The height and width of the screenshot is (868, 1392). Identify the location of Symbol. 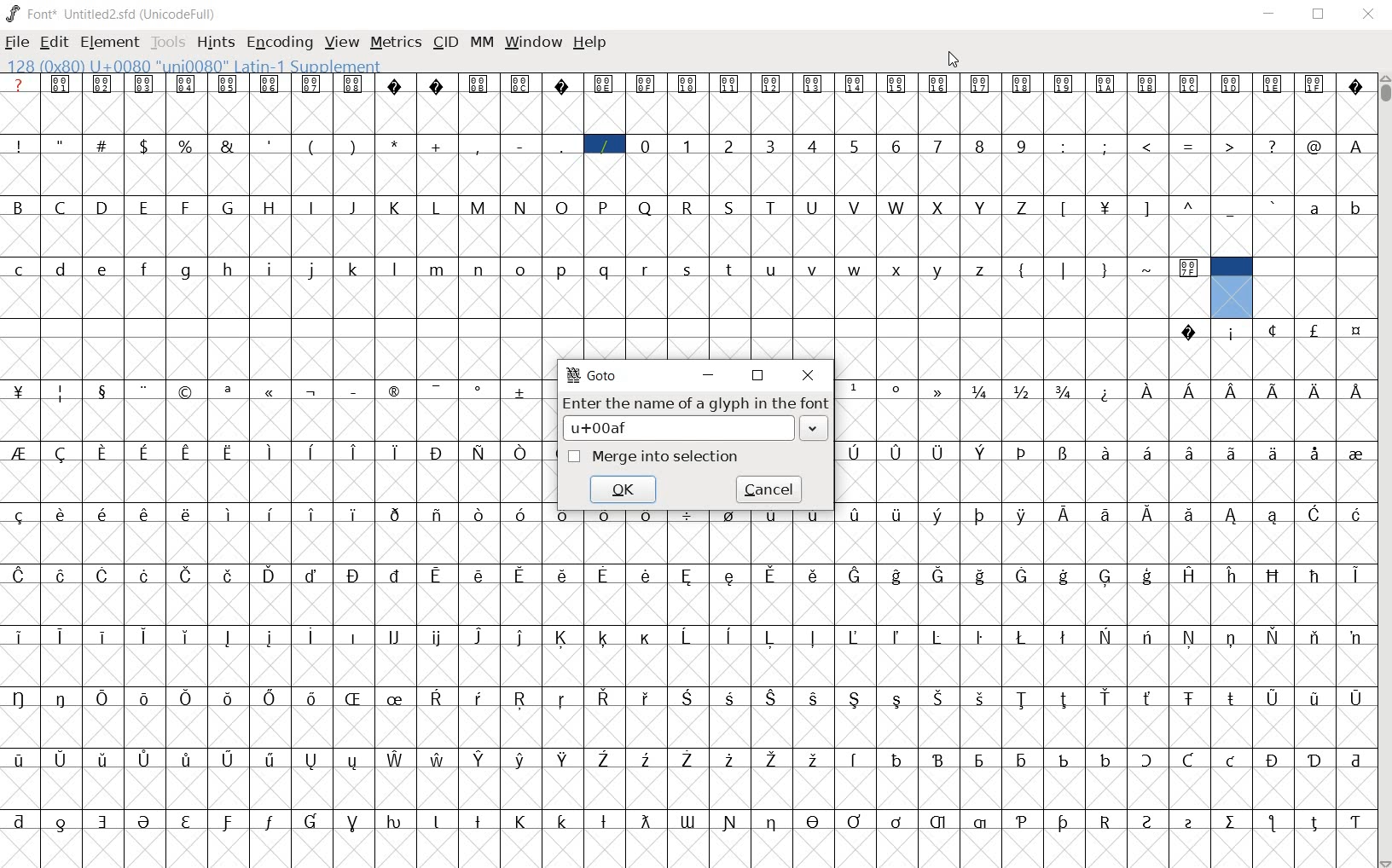
(272, 575).